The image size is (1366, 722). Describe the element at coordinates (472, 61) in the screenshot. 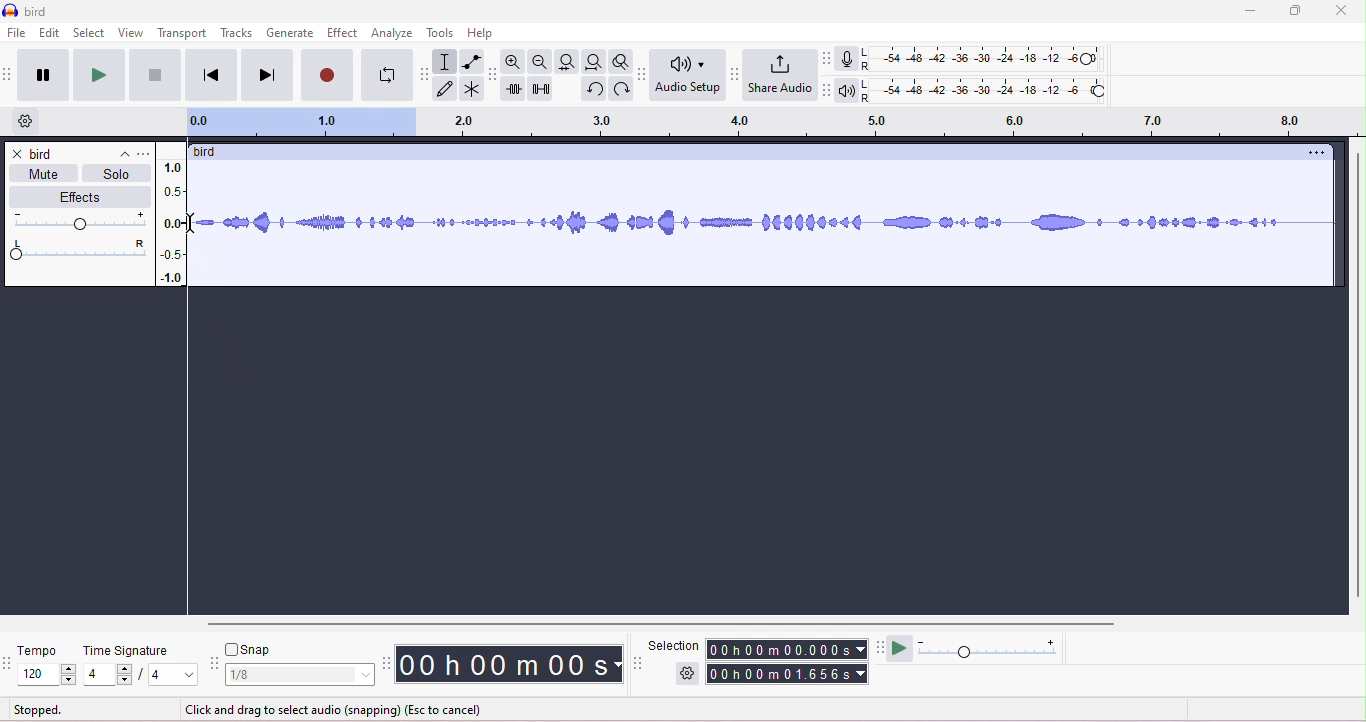

I see `envelop` at that location.